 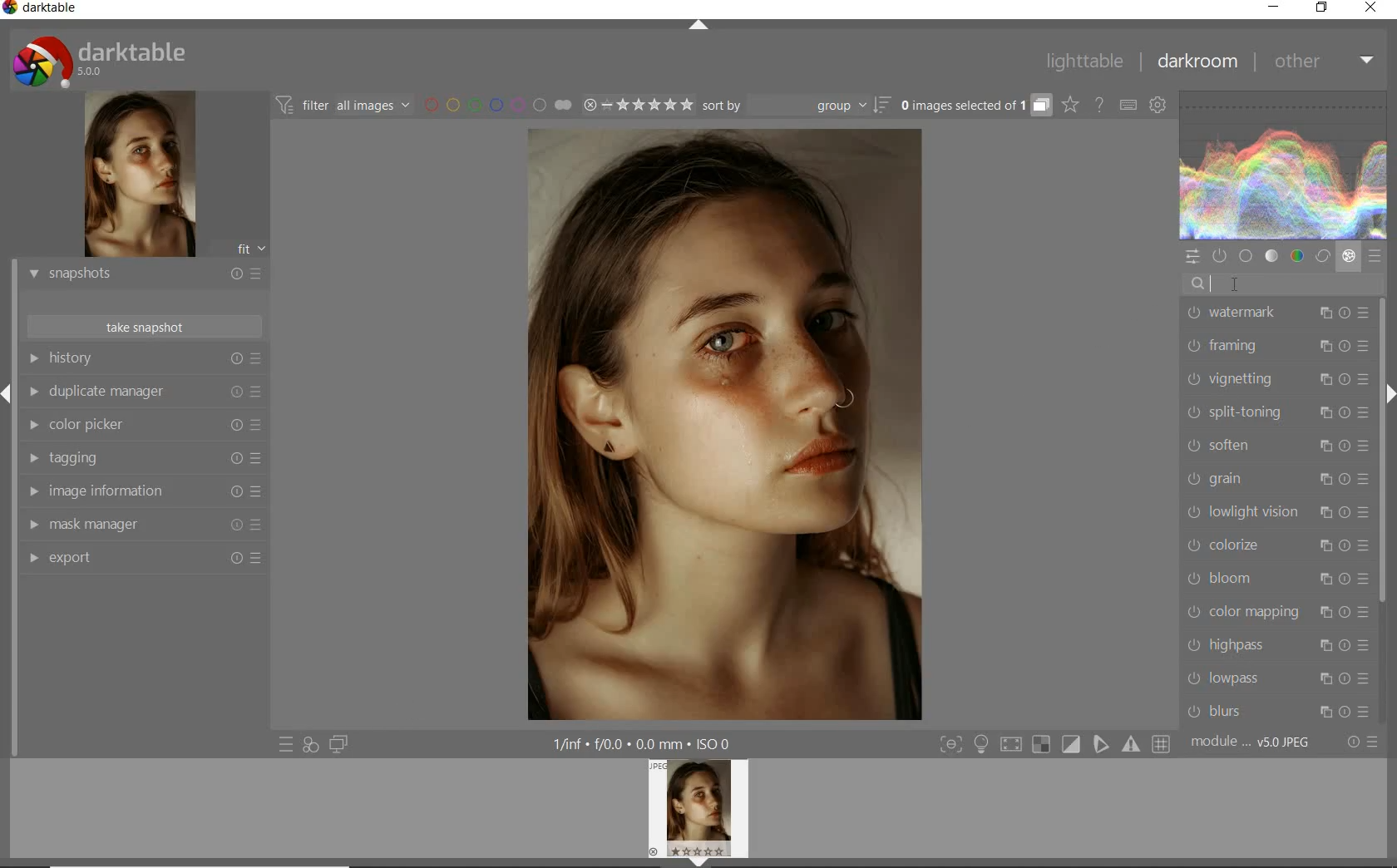 I want to click on quick access panel, so click(x=1193, y=257).